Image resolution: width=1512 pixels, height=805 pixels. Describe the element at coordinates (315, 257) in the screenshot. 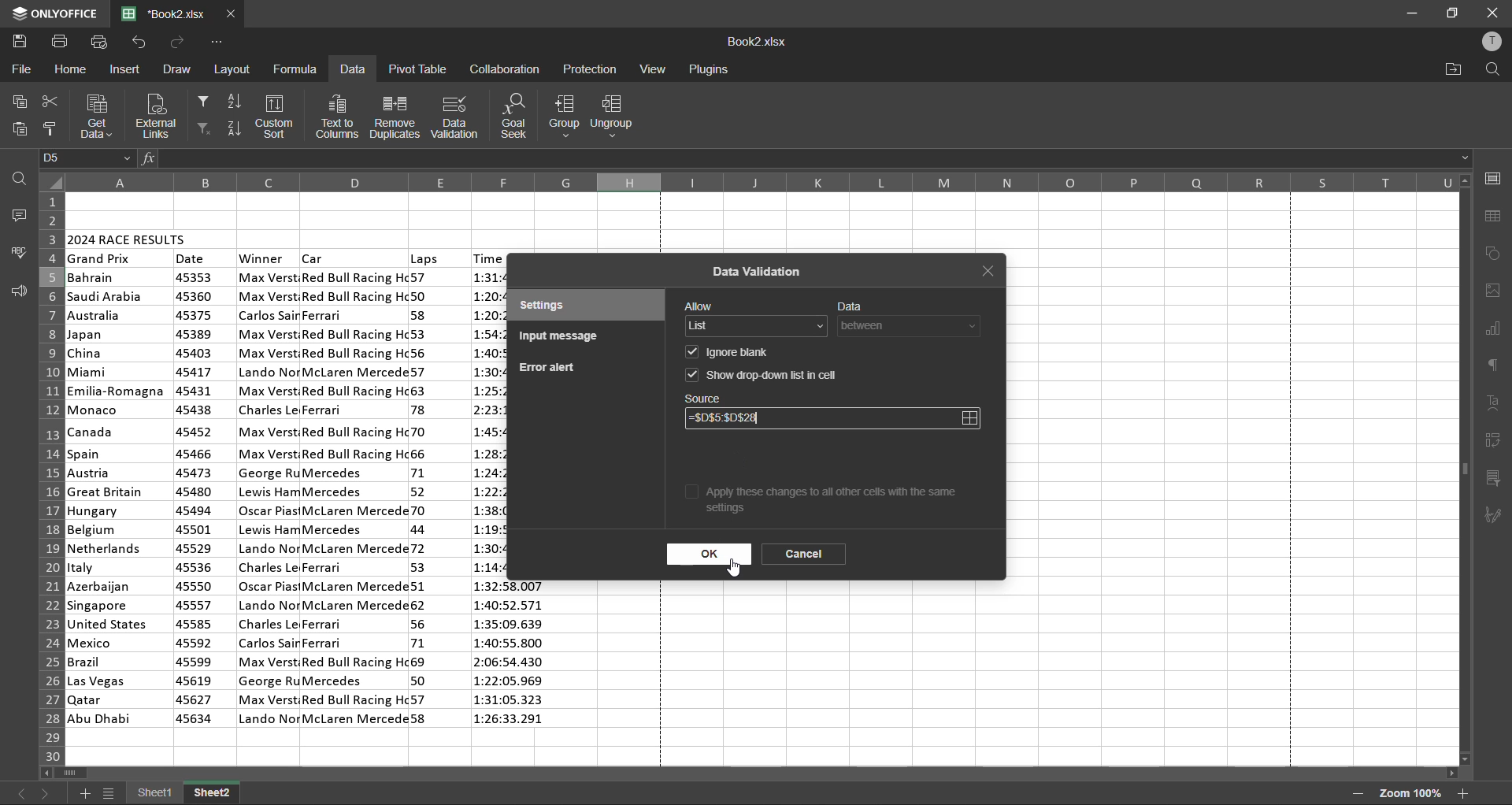

I see `car` at that location.